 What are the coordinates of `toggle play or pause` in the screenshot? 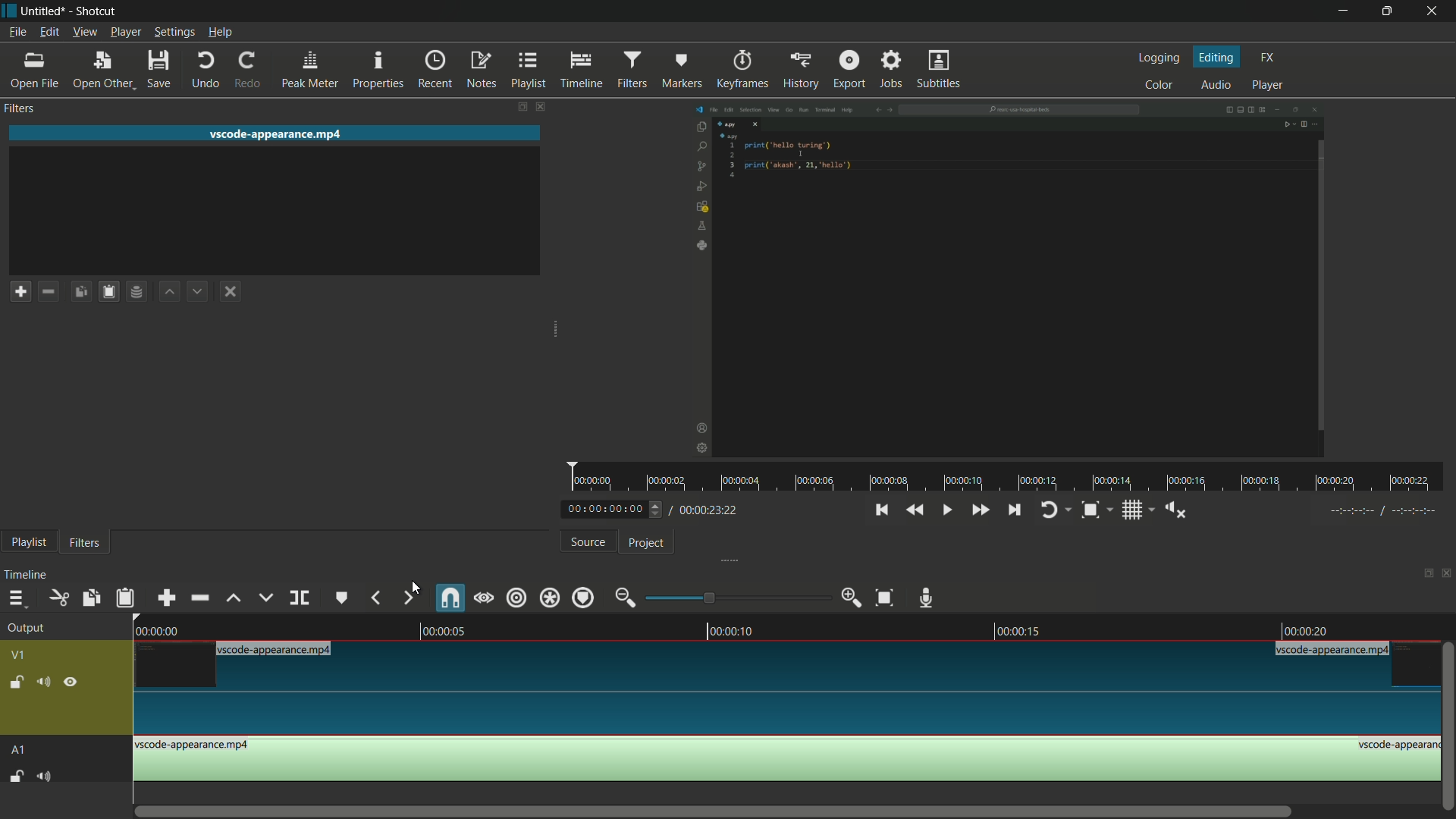 It's located at (944, 510).